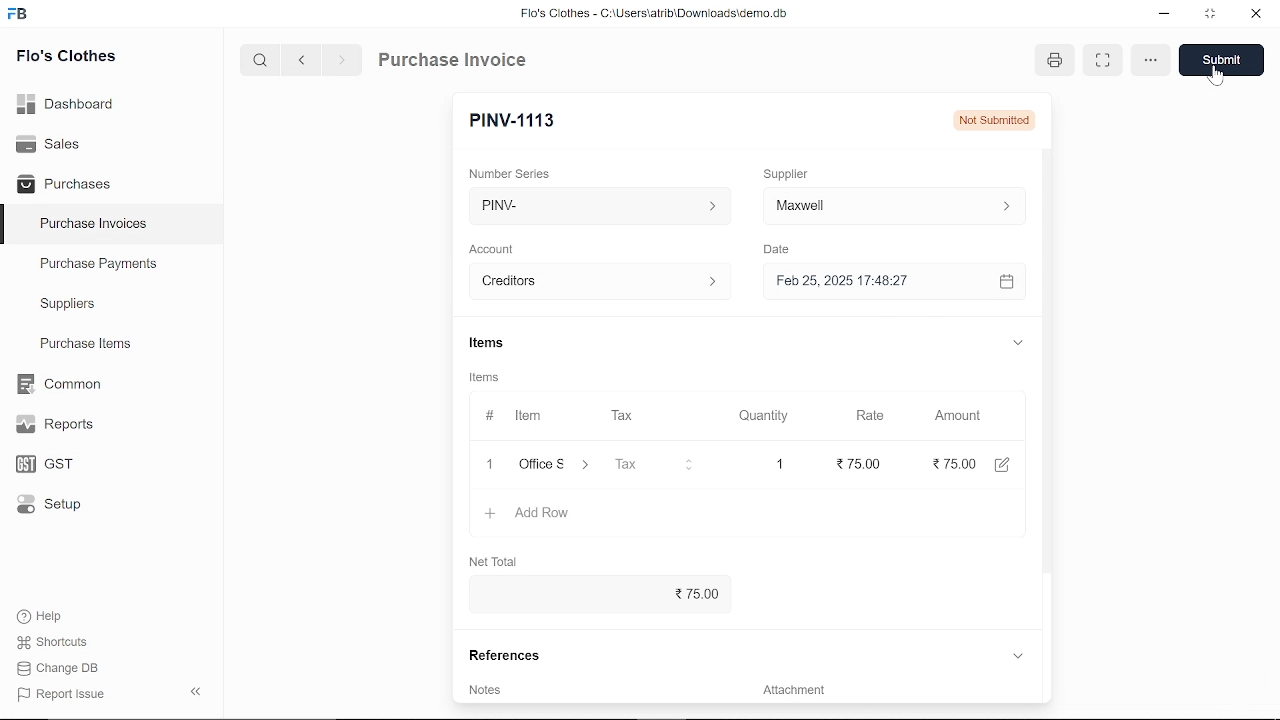 This screenshot has width=1280, height=720. I want to click on Change DB, so click(58, 670).